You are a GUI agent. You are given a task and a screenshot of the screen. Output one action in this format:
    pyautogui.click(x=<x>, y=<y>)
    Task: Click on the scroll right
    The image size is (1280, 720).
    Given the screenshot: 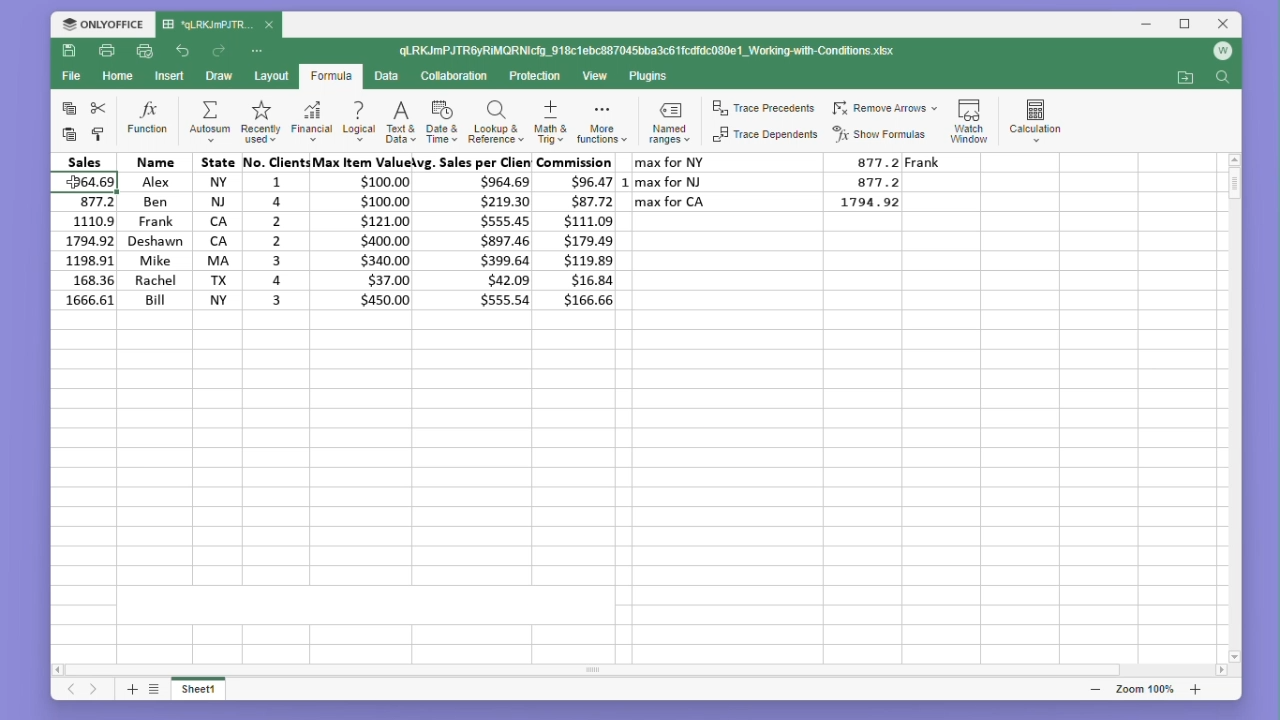 What is the action you would take?
    pyautogui.click(x=1222, y=671)
    